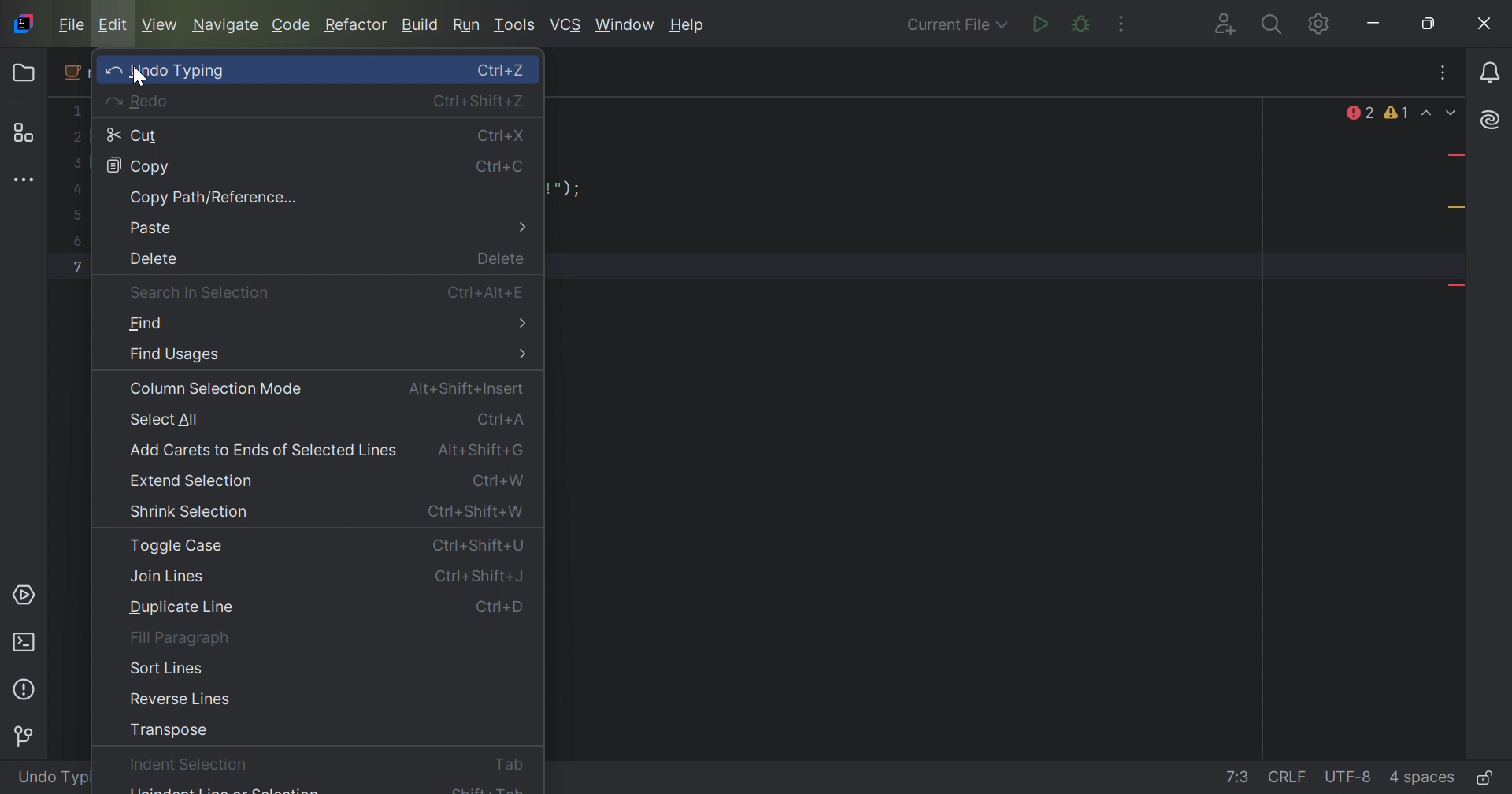  What do you see at coordinates (188, 764) in the screenshot?
I see `Indent Selection` at bounding box center [188, 764].